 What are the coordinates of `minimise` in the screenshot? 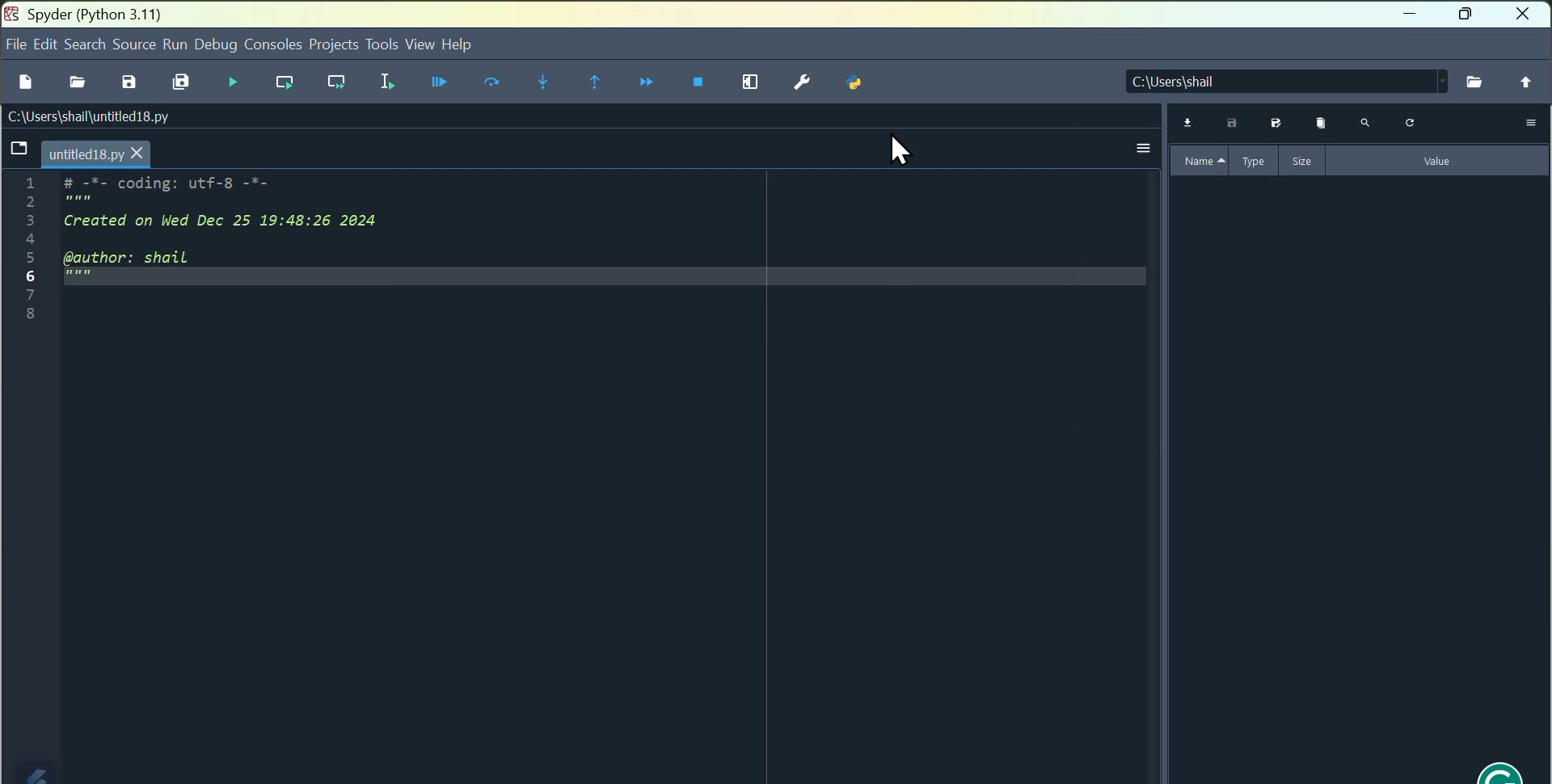 It's located at (1411, 17).